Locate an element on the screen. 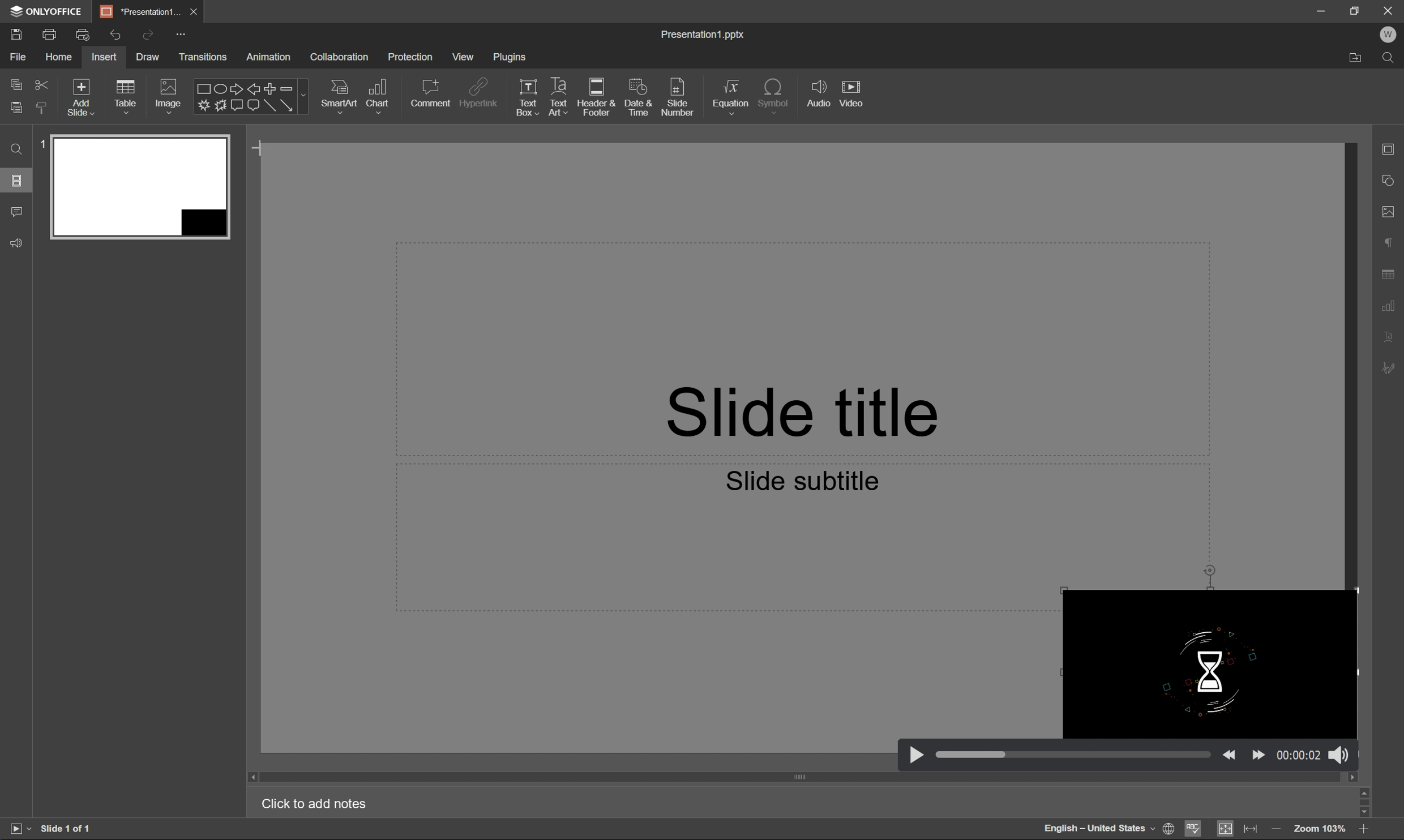  1 is located at coordinates (43, 143).